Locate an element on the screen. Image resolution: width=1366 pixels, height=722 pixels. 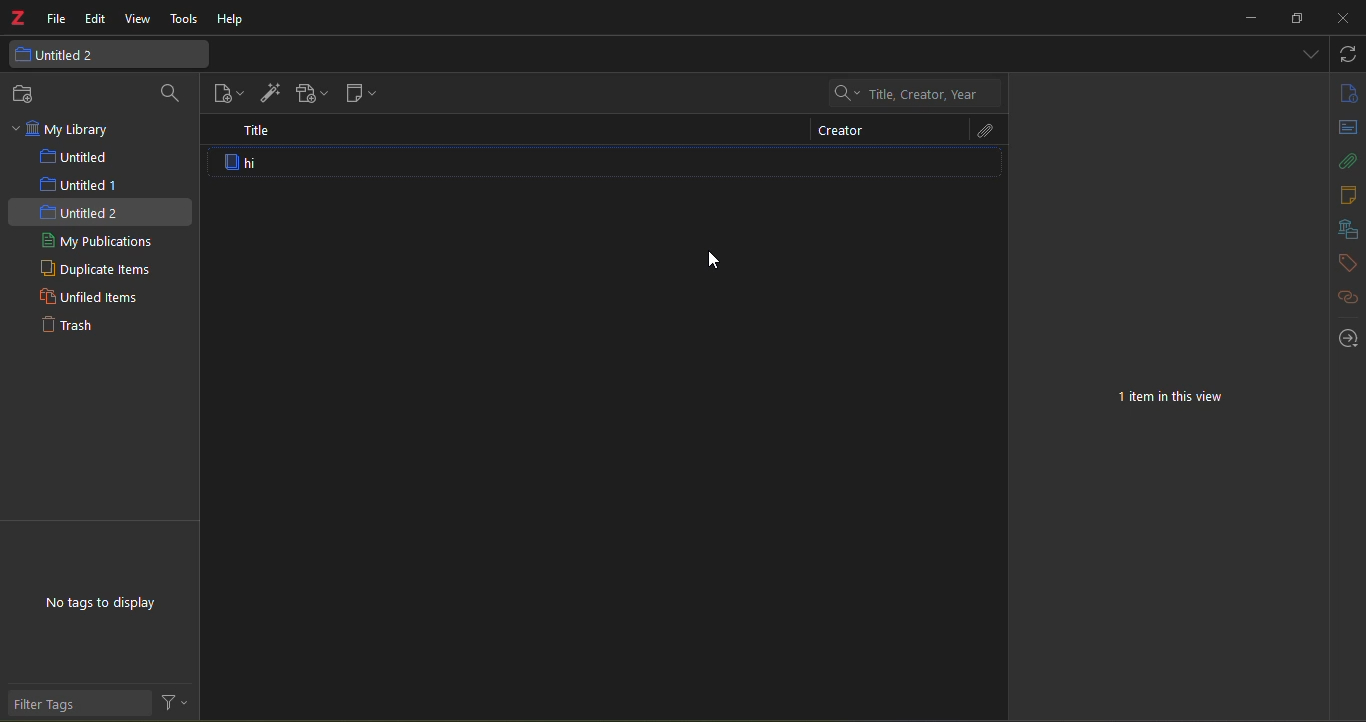
add attach is located at coordinates (312, 93).